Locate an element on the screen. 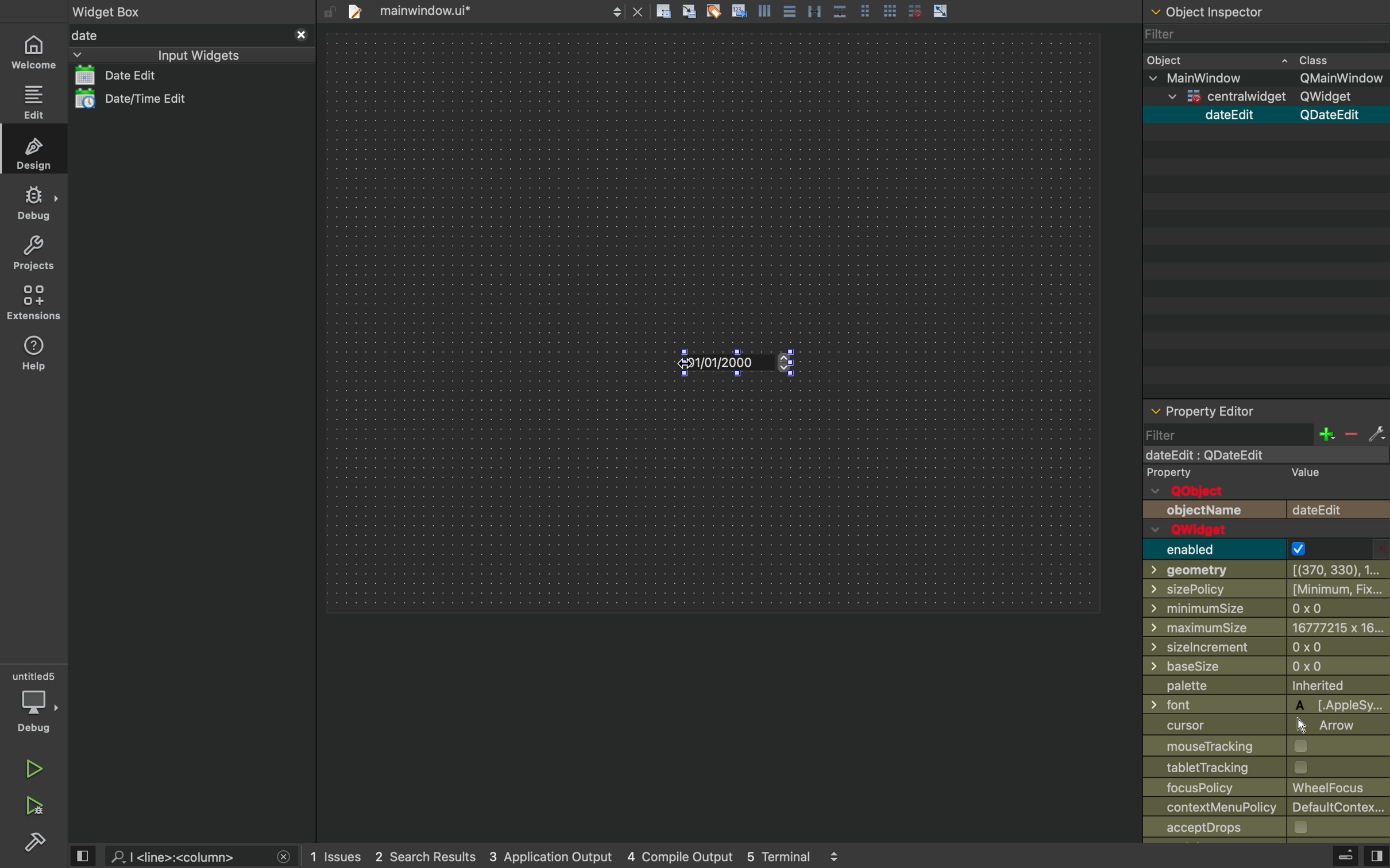 The height and width of the screenshot is (868, 1390). next/back is located at coordinates (616, 10).